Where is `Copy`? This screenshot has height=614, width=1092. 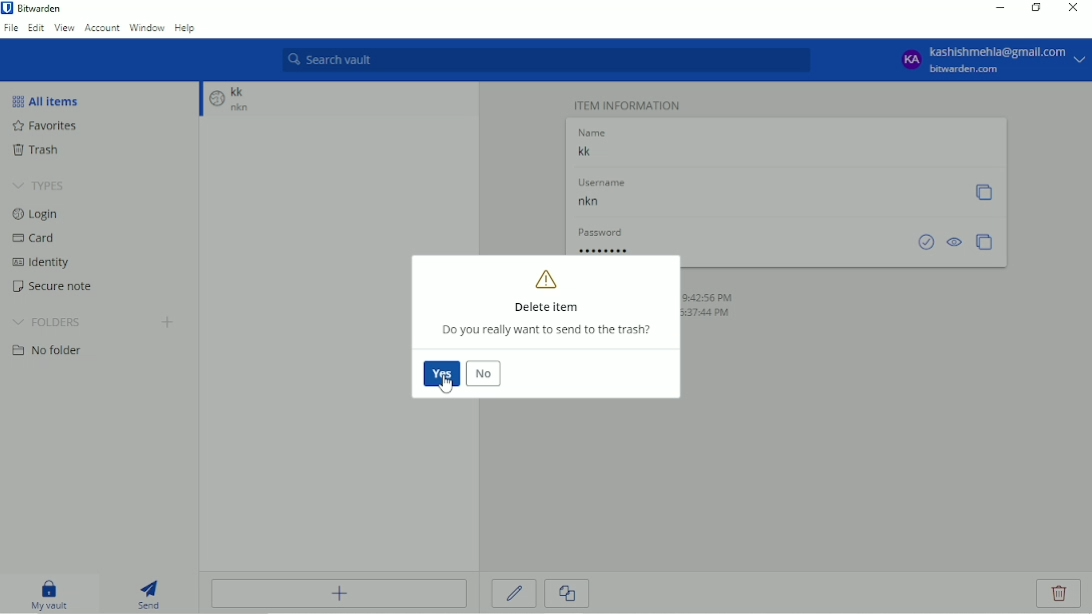 Copy is located at coordinates (984, 193).